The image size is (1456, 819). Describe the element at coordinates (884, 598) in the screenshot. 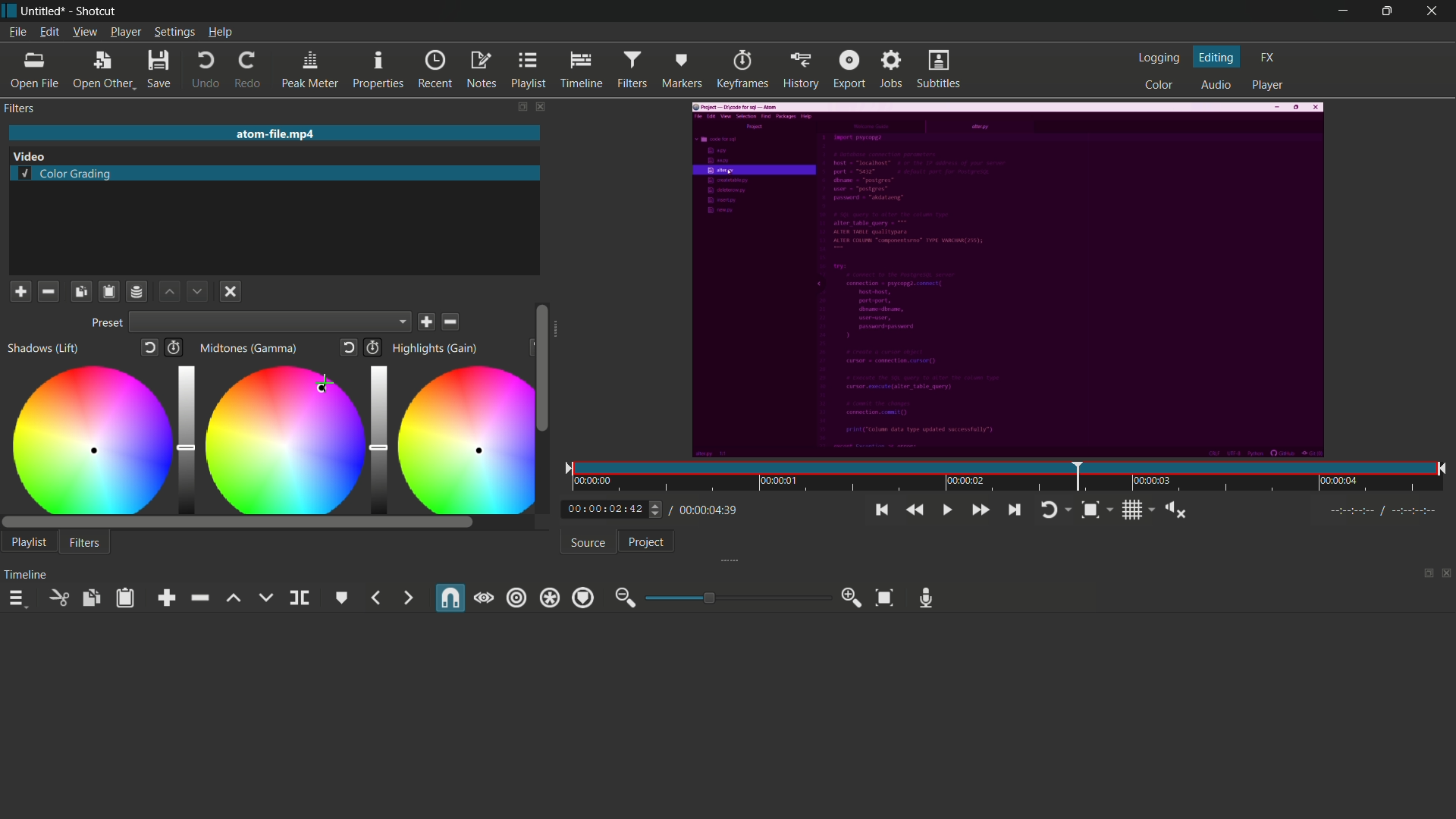

I see `zoom timeline to fit` at that location.